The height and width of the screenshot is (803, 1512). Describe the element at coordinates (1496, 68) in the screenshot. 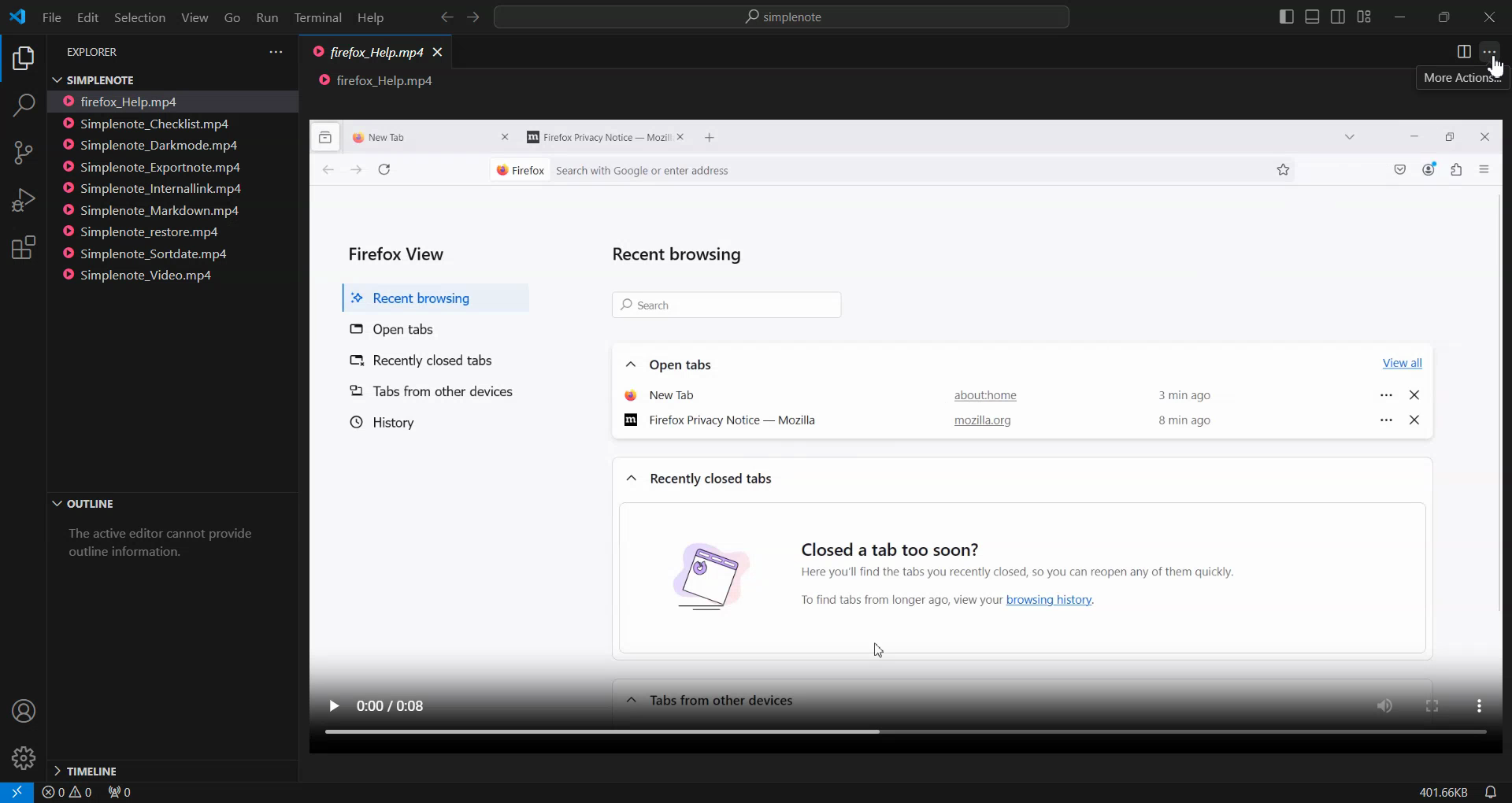

I see `Cursor` at that location.